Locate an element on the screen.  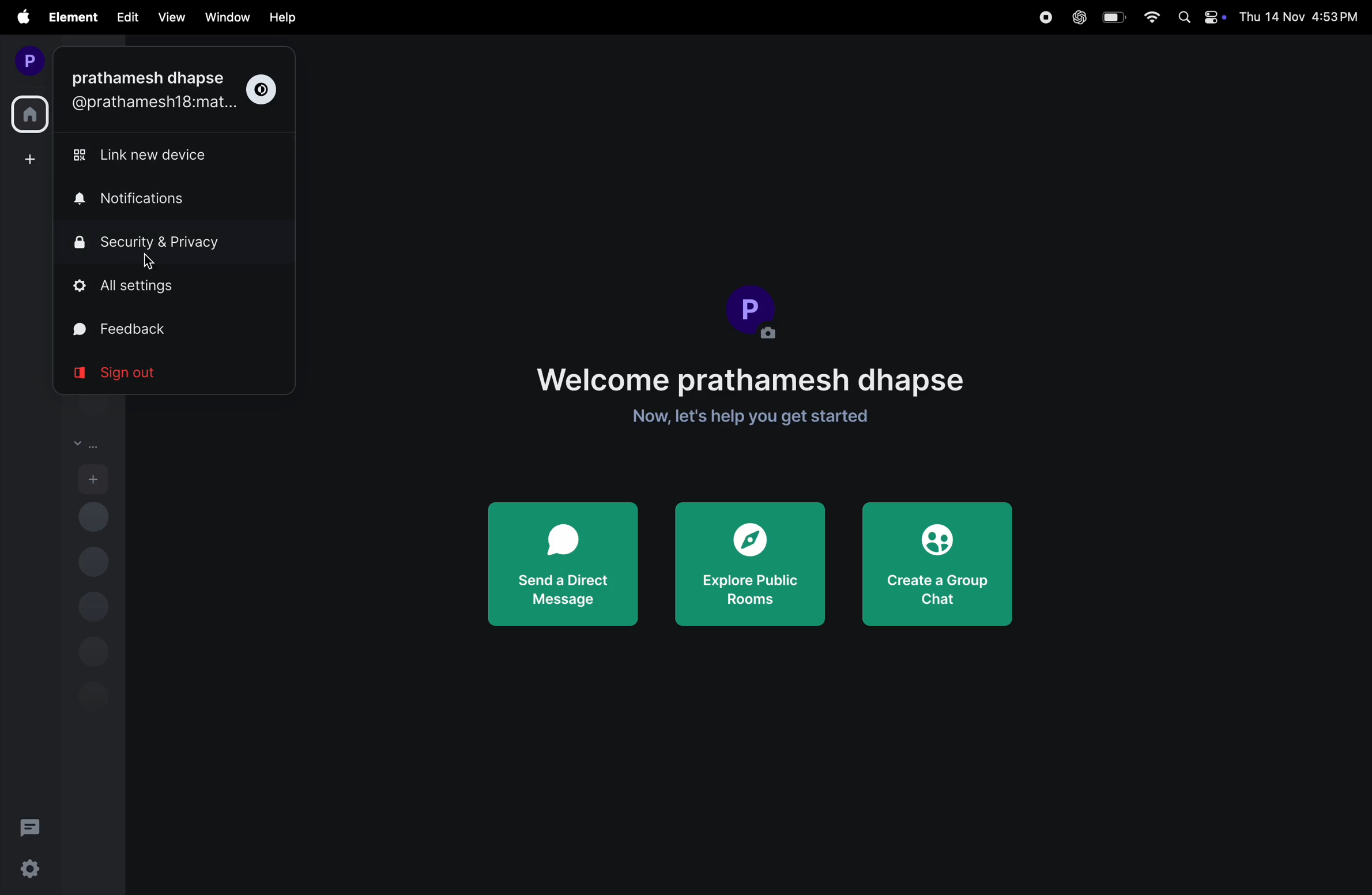
battery is located at coordinates (1114, 18).